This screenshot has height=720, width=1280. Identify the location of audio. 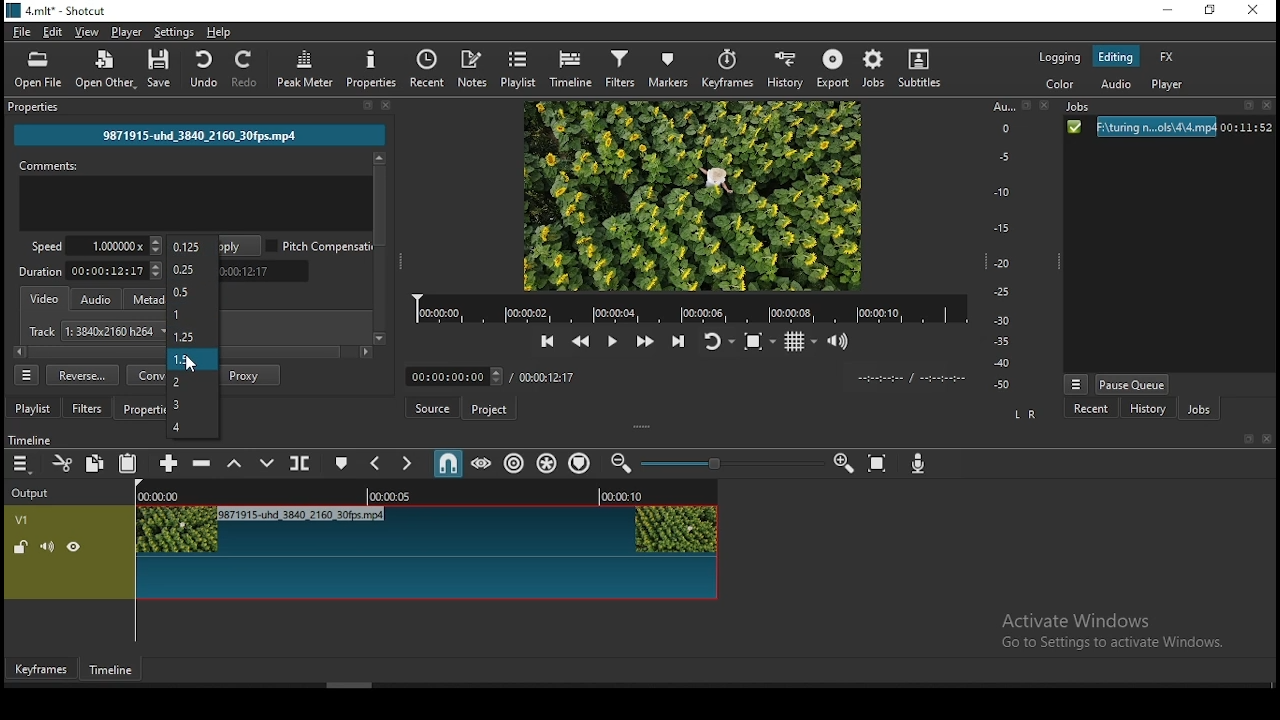
(97, 297).